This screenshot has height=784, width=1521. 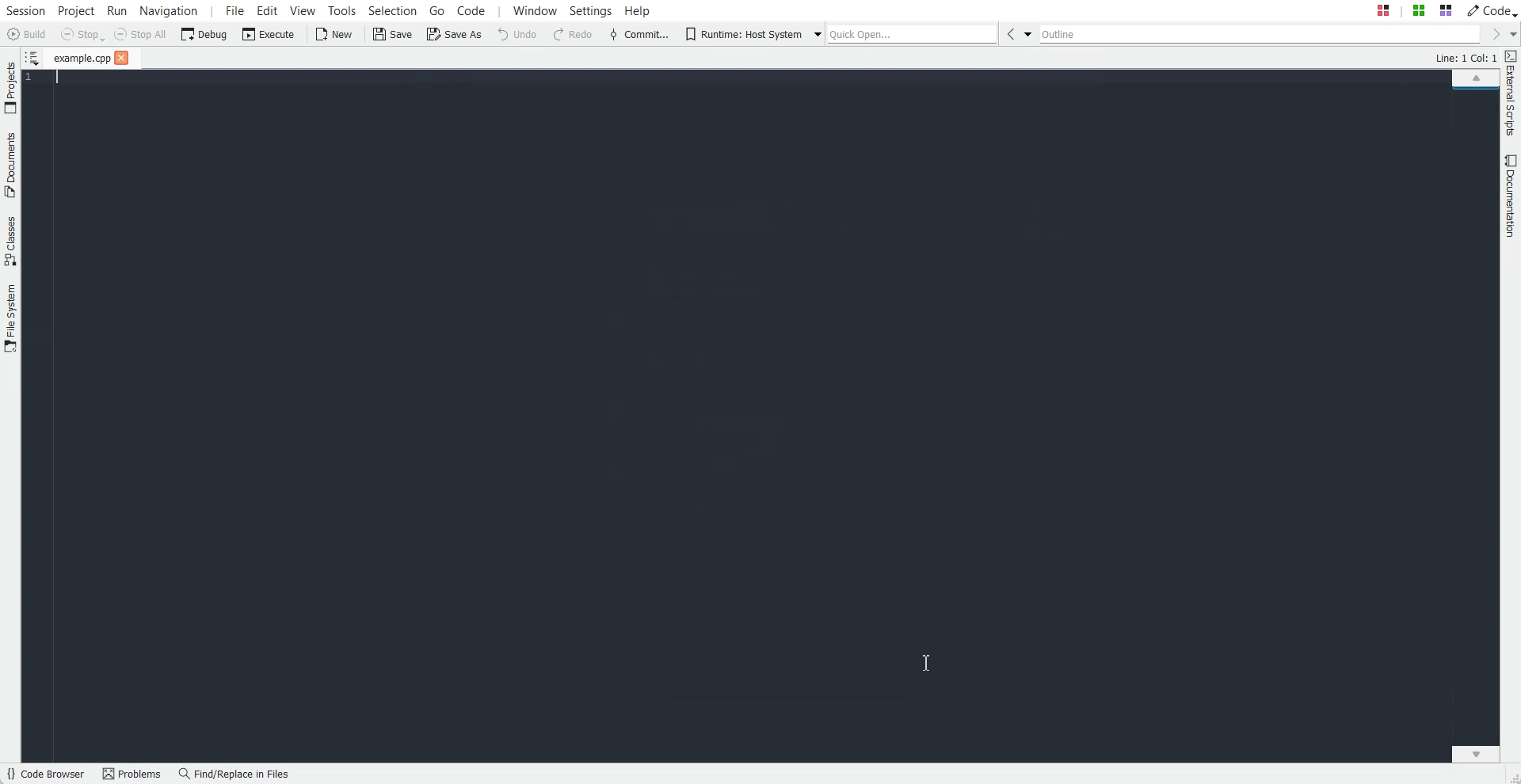 I want to click on File Overview, so click(x=1473, y=91).